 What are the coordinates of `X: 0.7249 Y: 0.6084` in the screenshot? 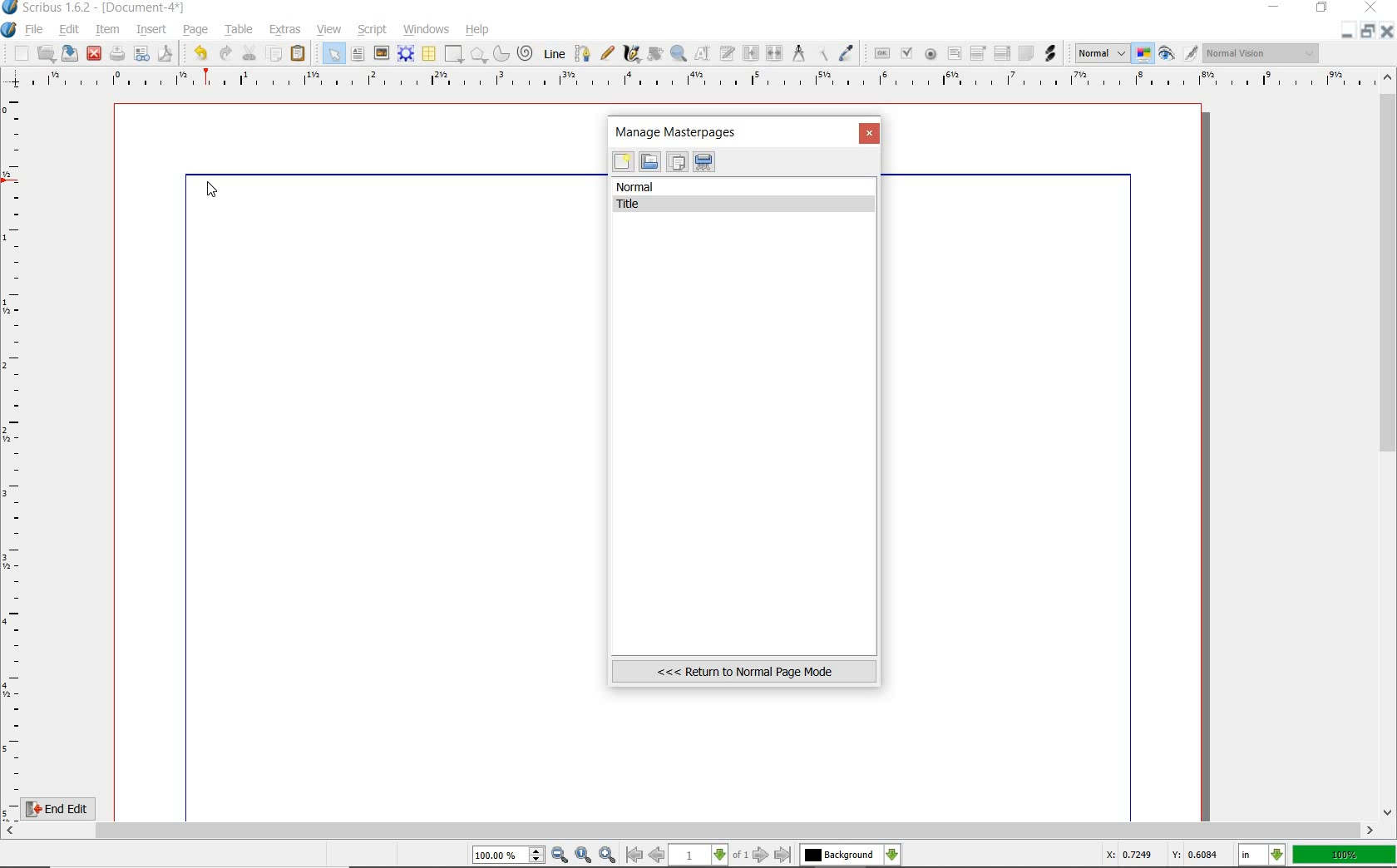 It's located at (1162, 856).